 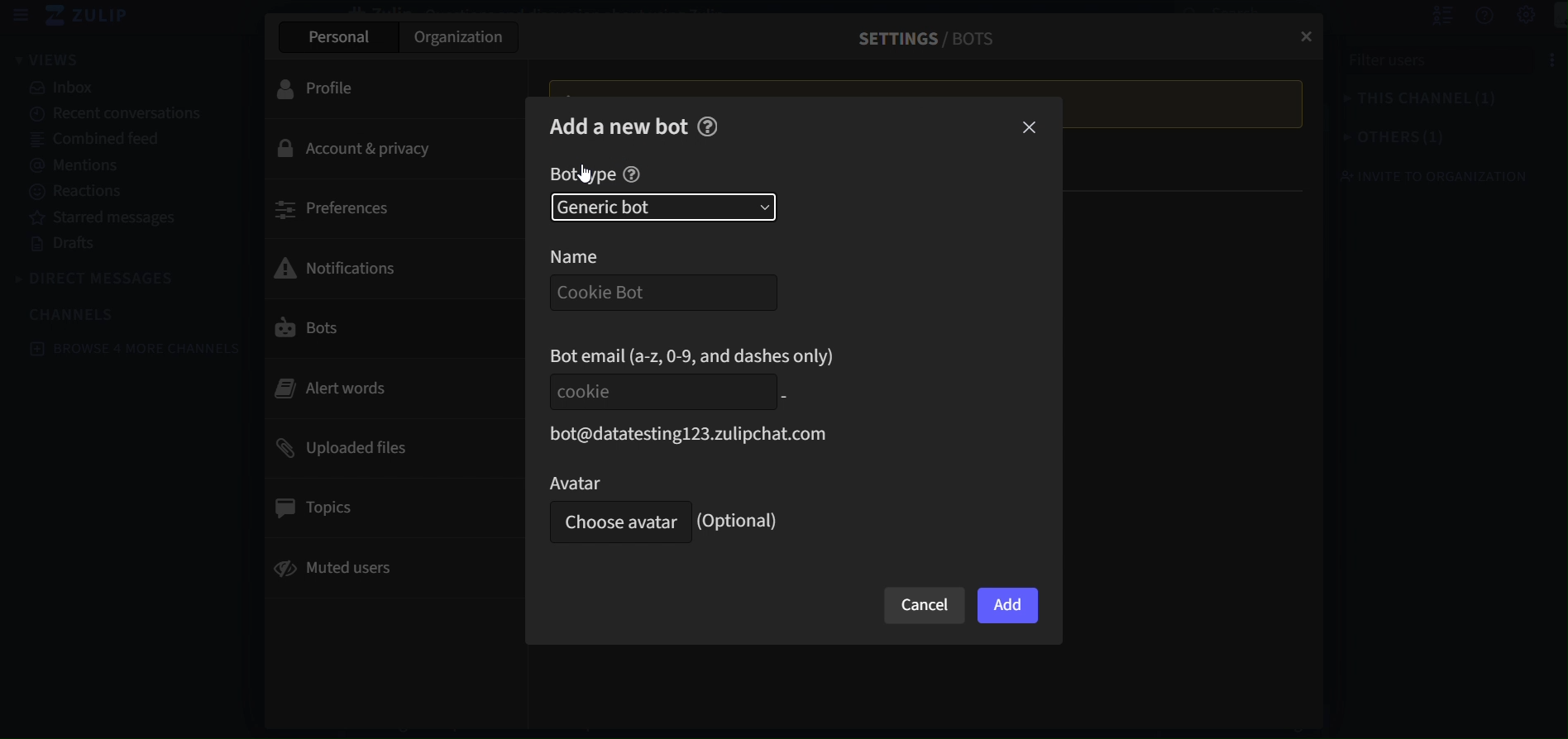 I want to click on view, so click(x=48, y=59).